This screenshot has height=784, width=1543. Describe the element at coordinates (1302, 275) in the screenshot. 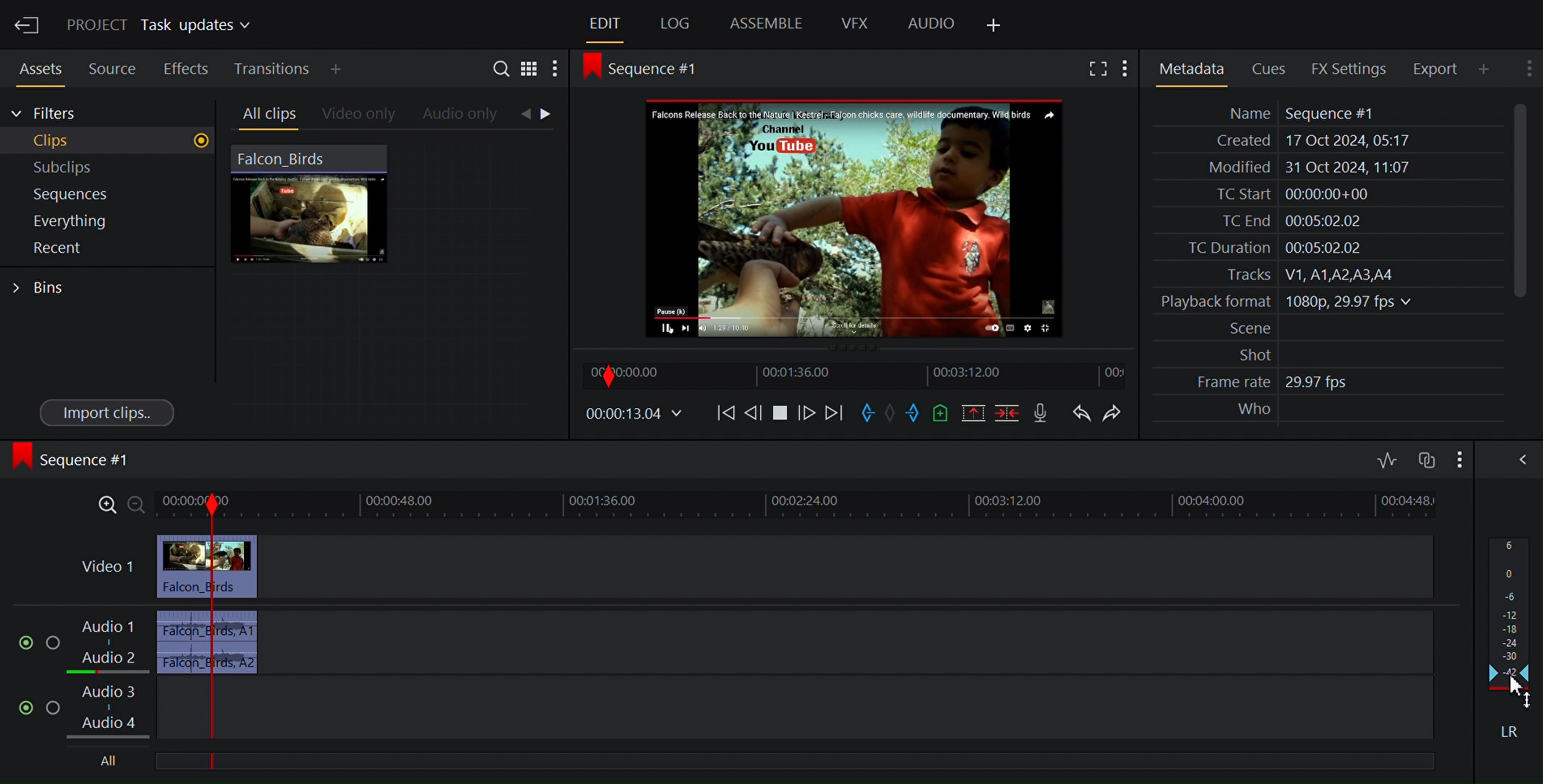

I see `Tracks V1, A1,A2,A3,A4` at that location.